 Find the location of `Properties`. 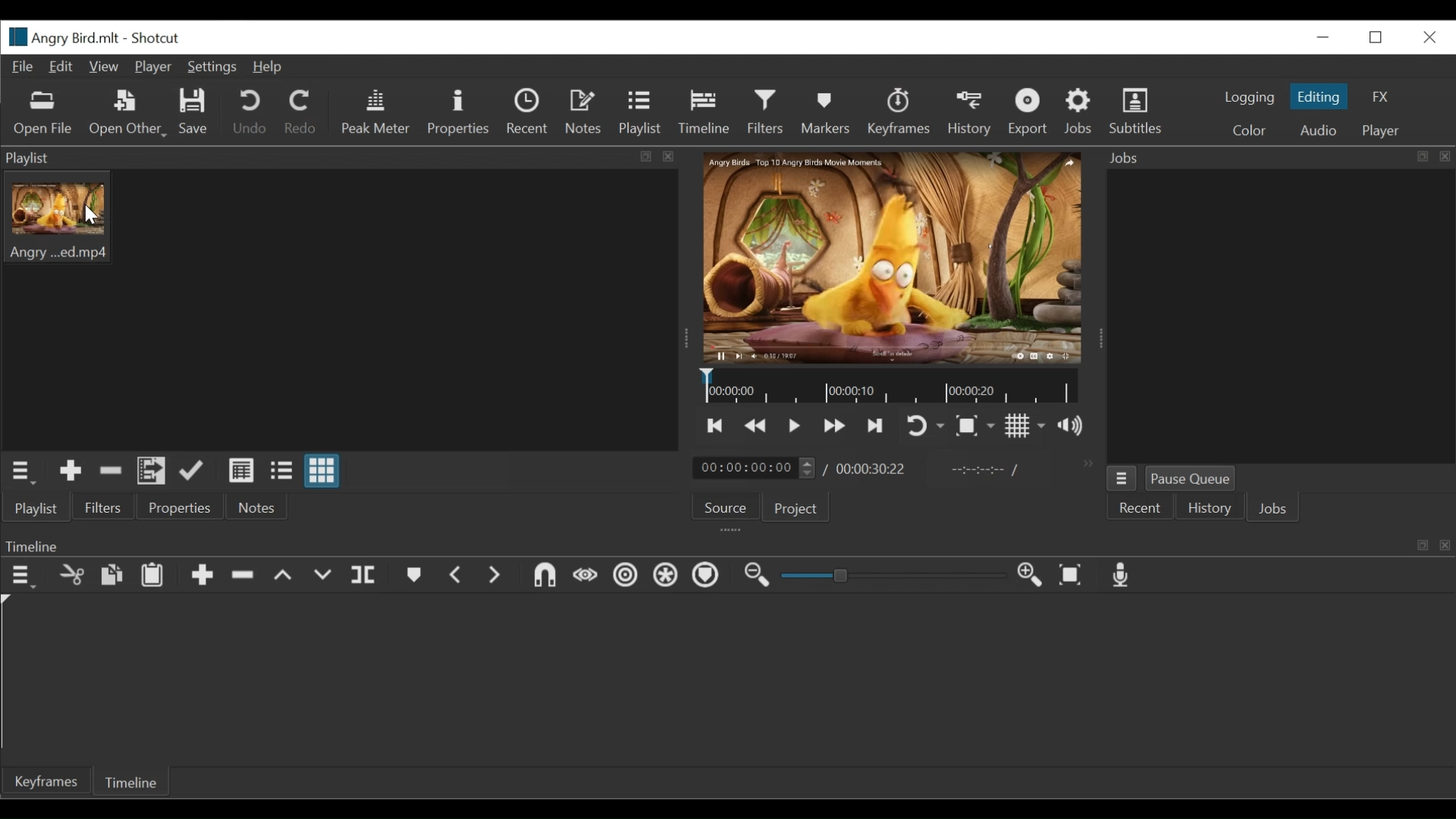

Properties is located at coordinates (176, 506).